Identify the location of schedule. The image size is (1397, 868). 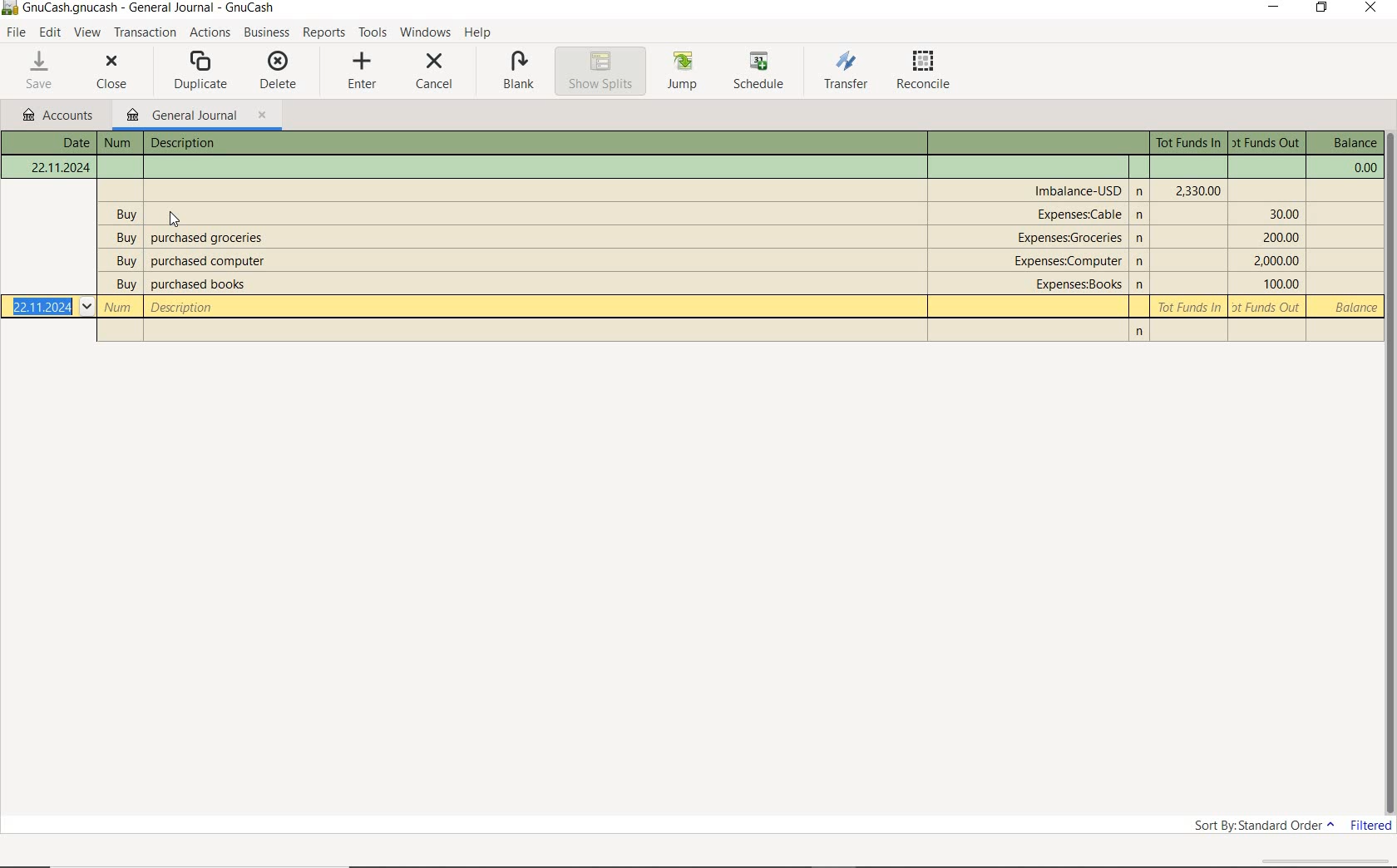
(763, 72).